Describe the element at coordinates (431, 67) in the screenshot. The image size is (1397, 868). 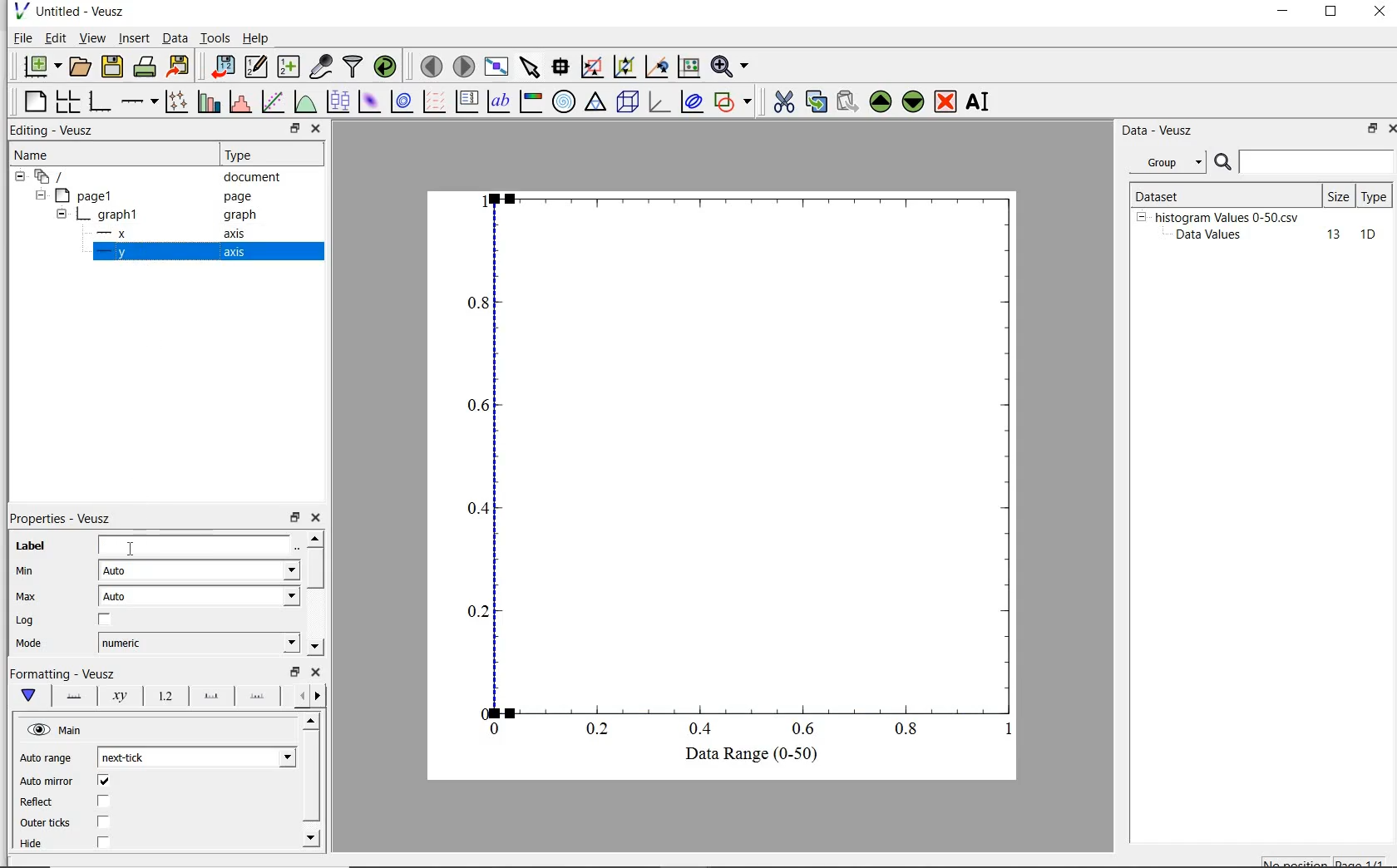
I see `move to previous page` at that location.